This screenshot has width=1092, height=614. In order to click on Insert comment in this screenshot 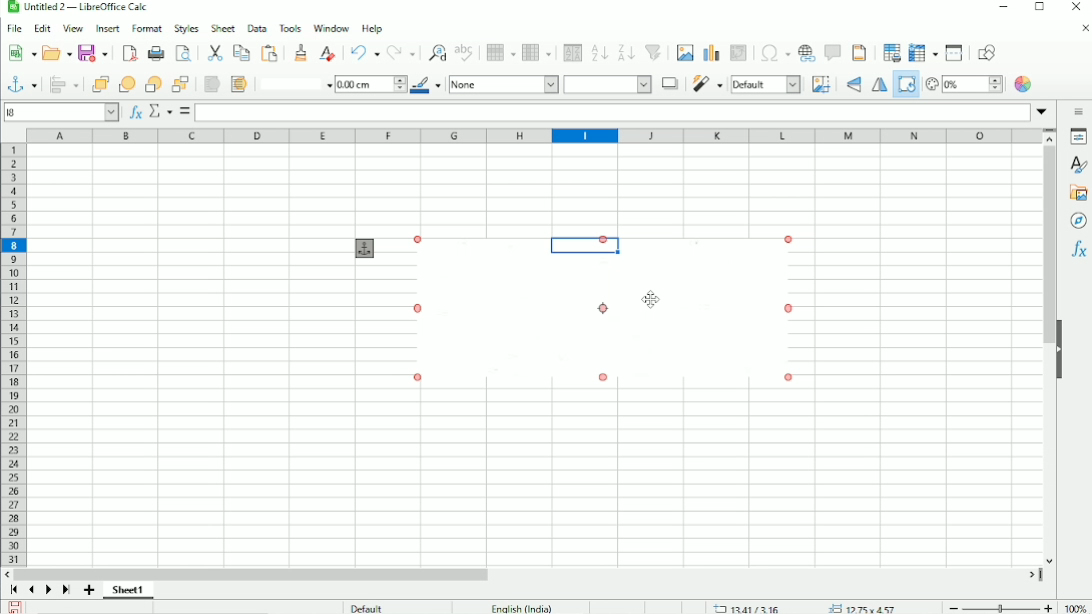, I will do `click(832, 53)`.